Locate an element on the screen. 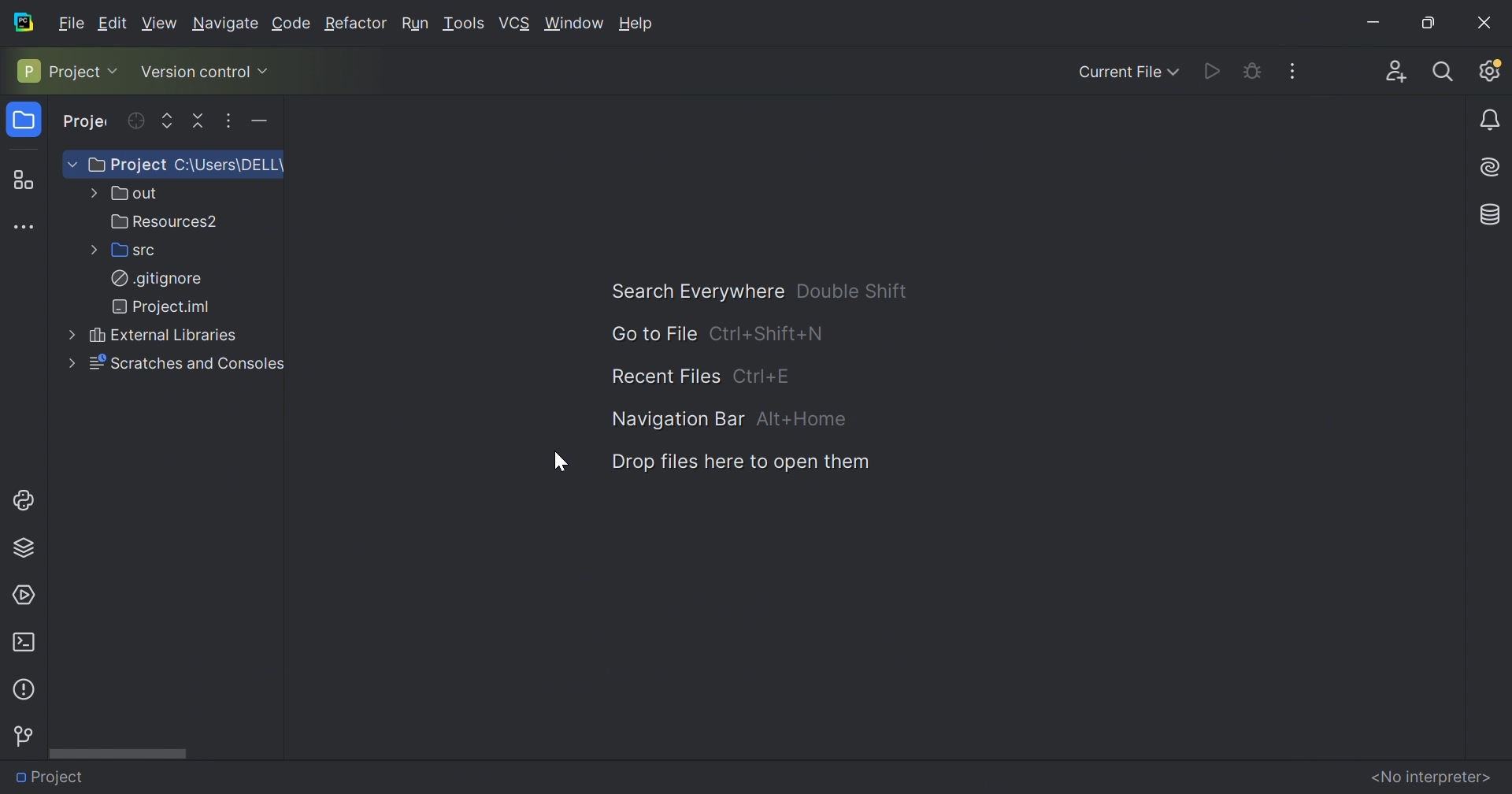 Image resolution: width=1512 pixels, height=794 pixels. VCS is located at coordinates (515, 23).